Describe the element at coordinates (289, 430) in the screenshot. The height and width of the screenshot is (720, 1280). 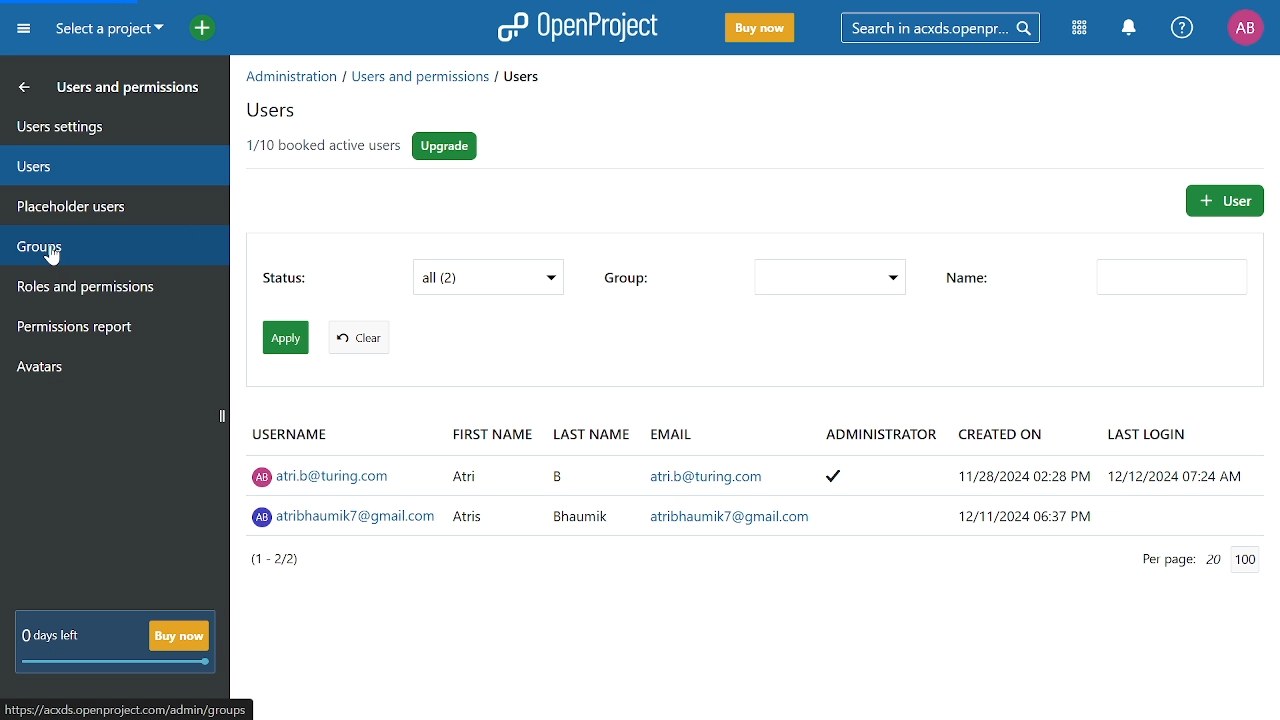
I see `username` at that location.